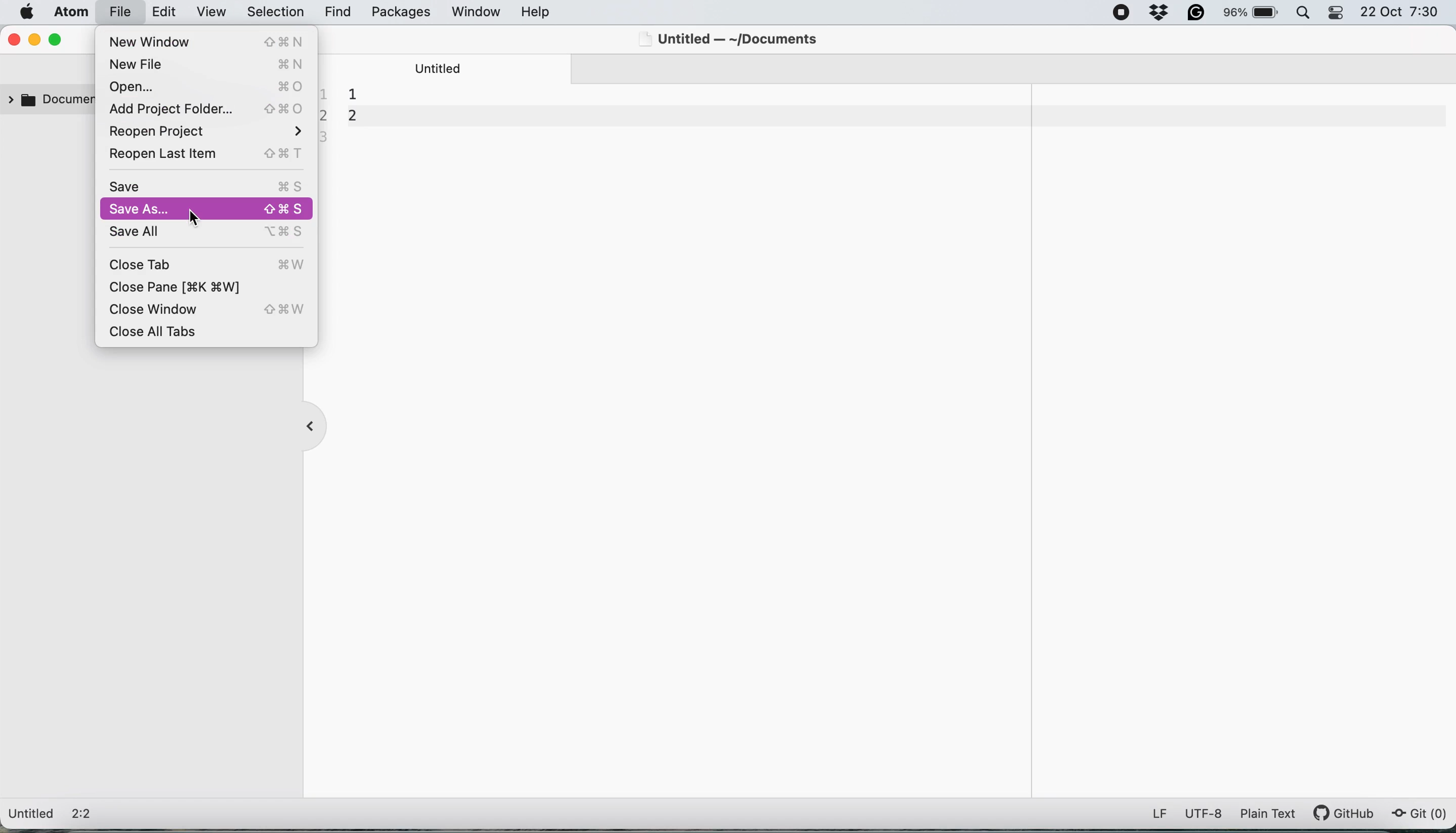 This screenshot has height=833, width=1456. What do you see at coordinates (1338, 13) in the screenshot?
I see `control center` at bounding box center [1338, 13].